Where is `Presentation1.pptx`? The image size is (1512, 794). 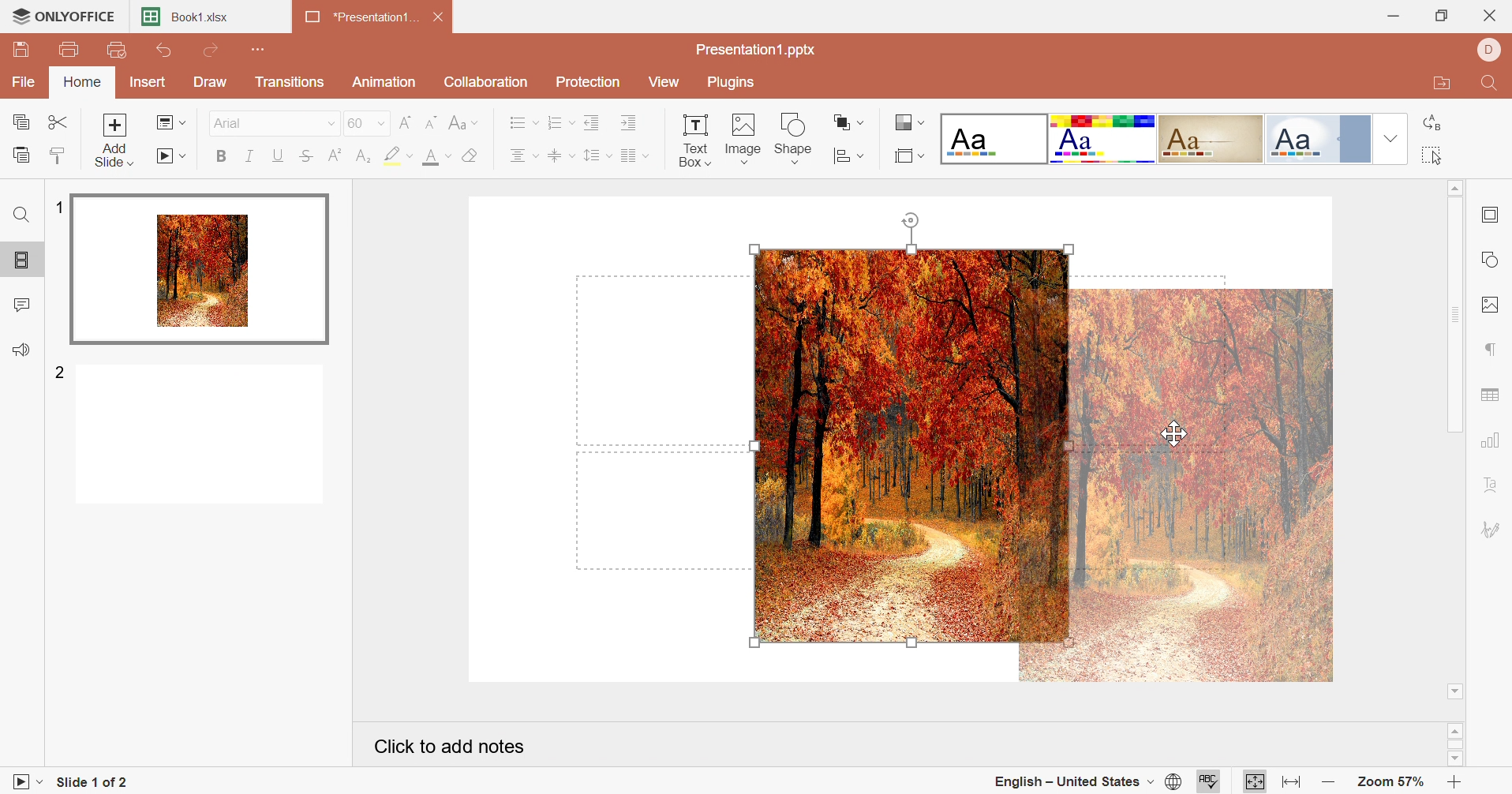
Presentation1.pptx is located at coordinates (755, 51).